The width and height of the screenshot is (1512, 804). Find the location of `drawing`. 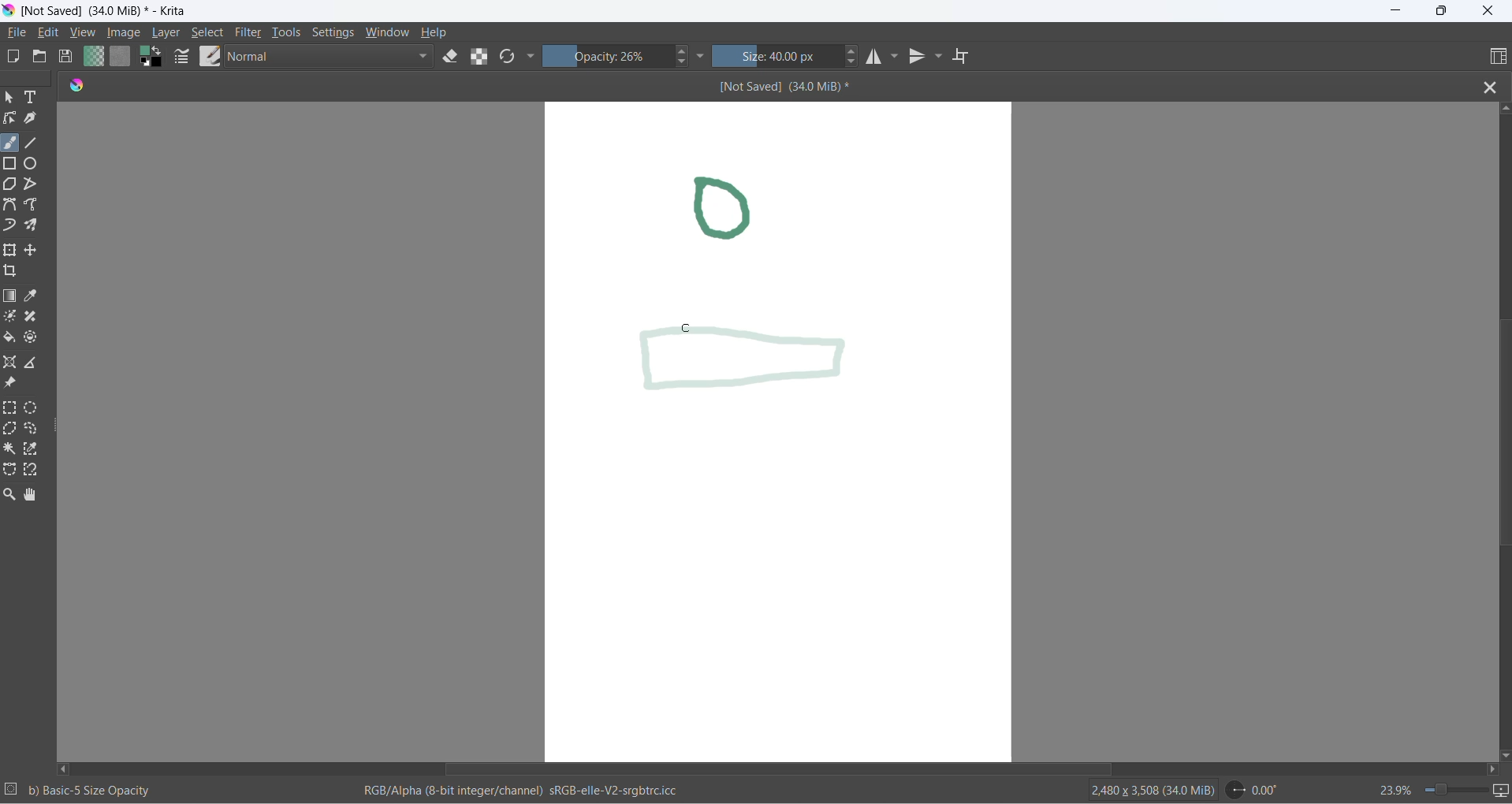

drawing is located at coordinates (738, 210).